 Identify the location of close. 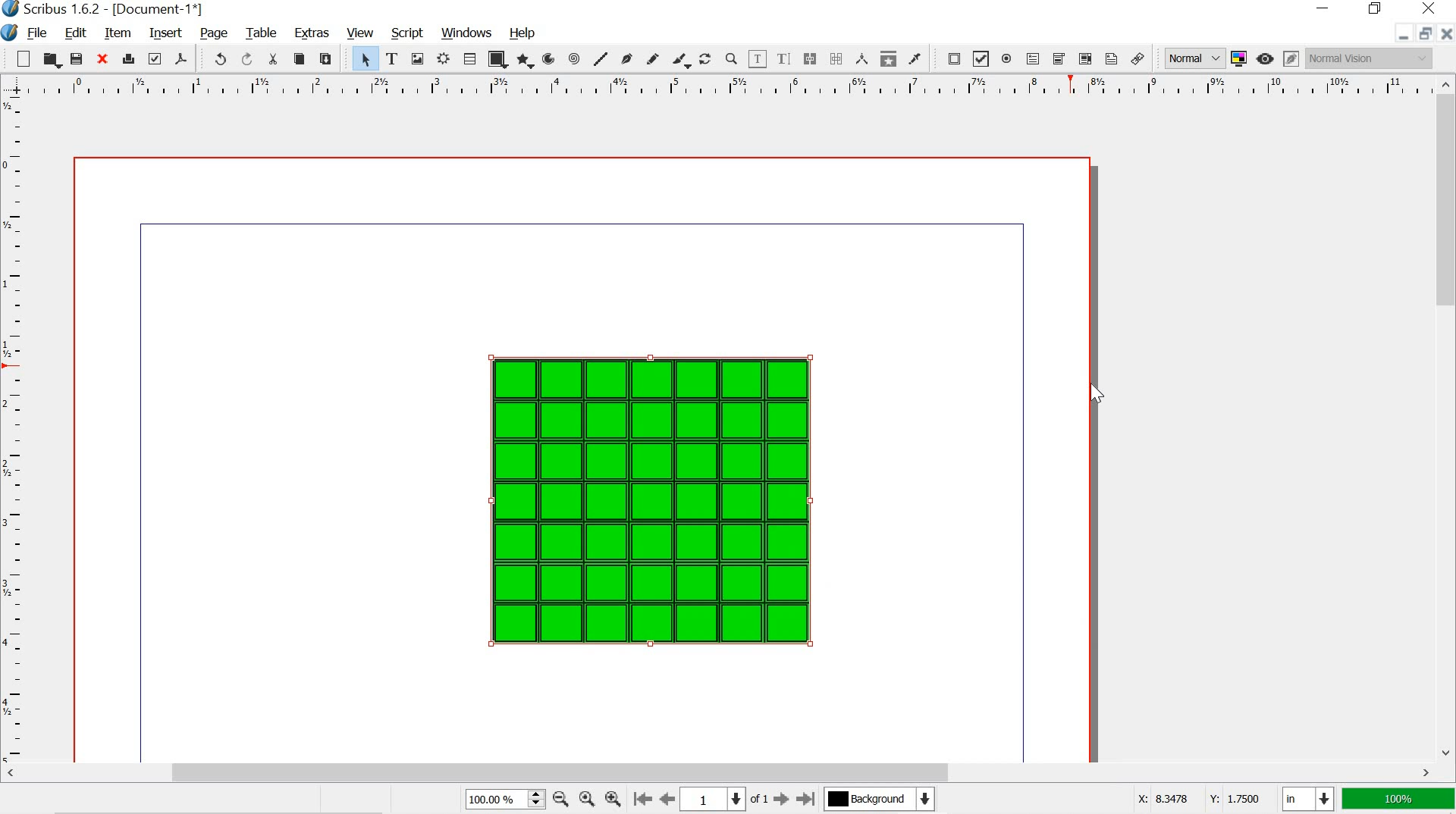
(104, 60).